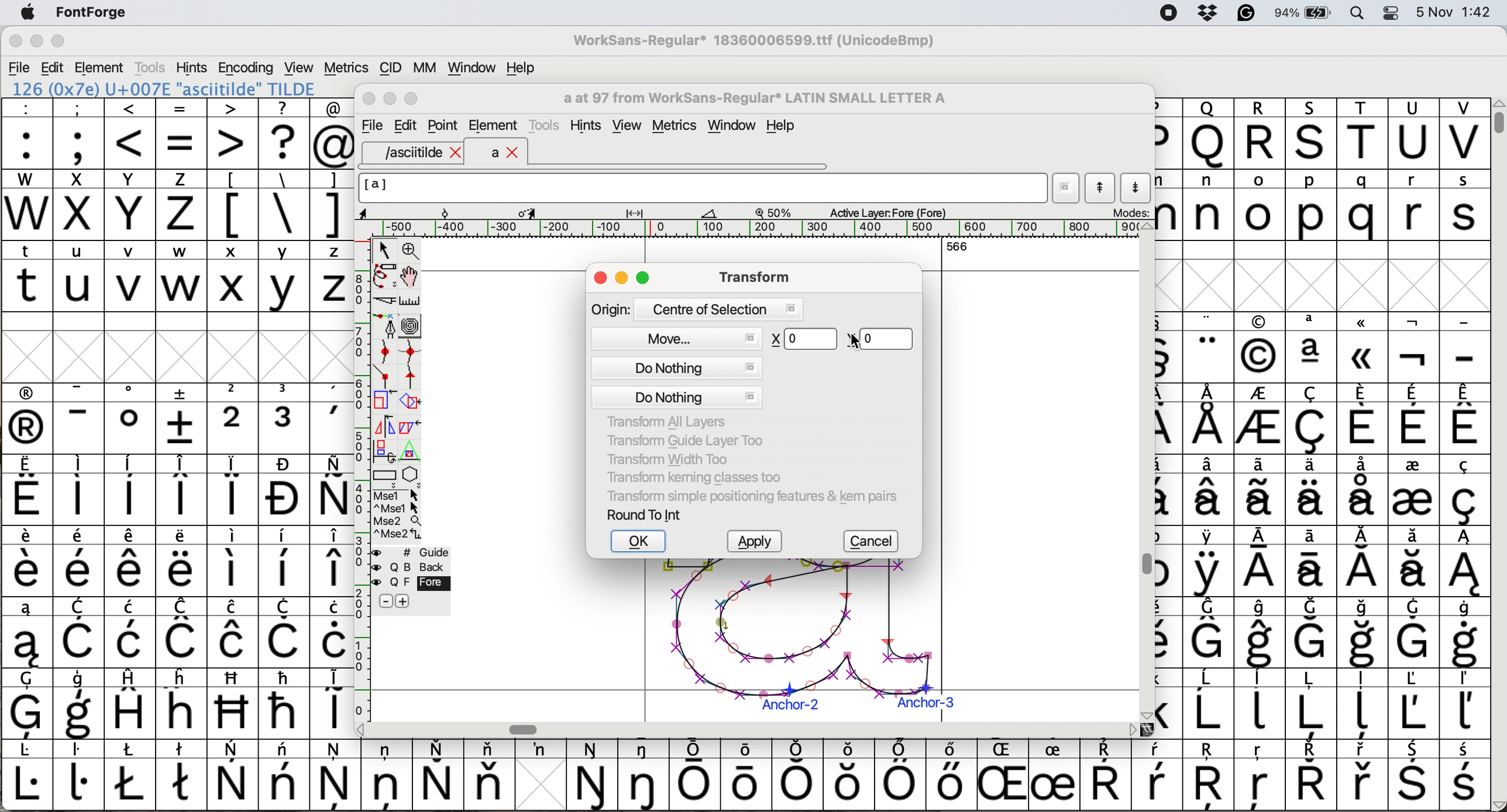 This screenshot has width=1507, height=812. What do you see at coordinates (234, 703) in the screenshot?
I see `` at bounding box center [234, 703].